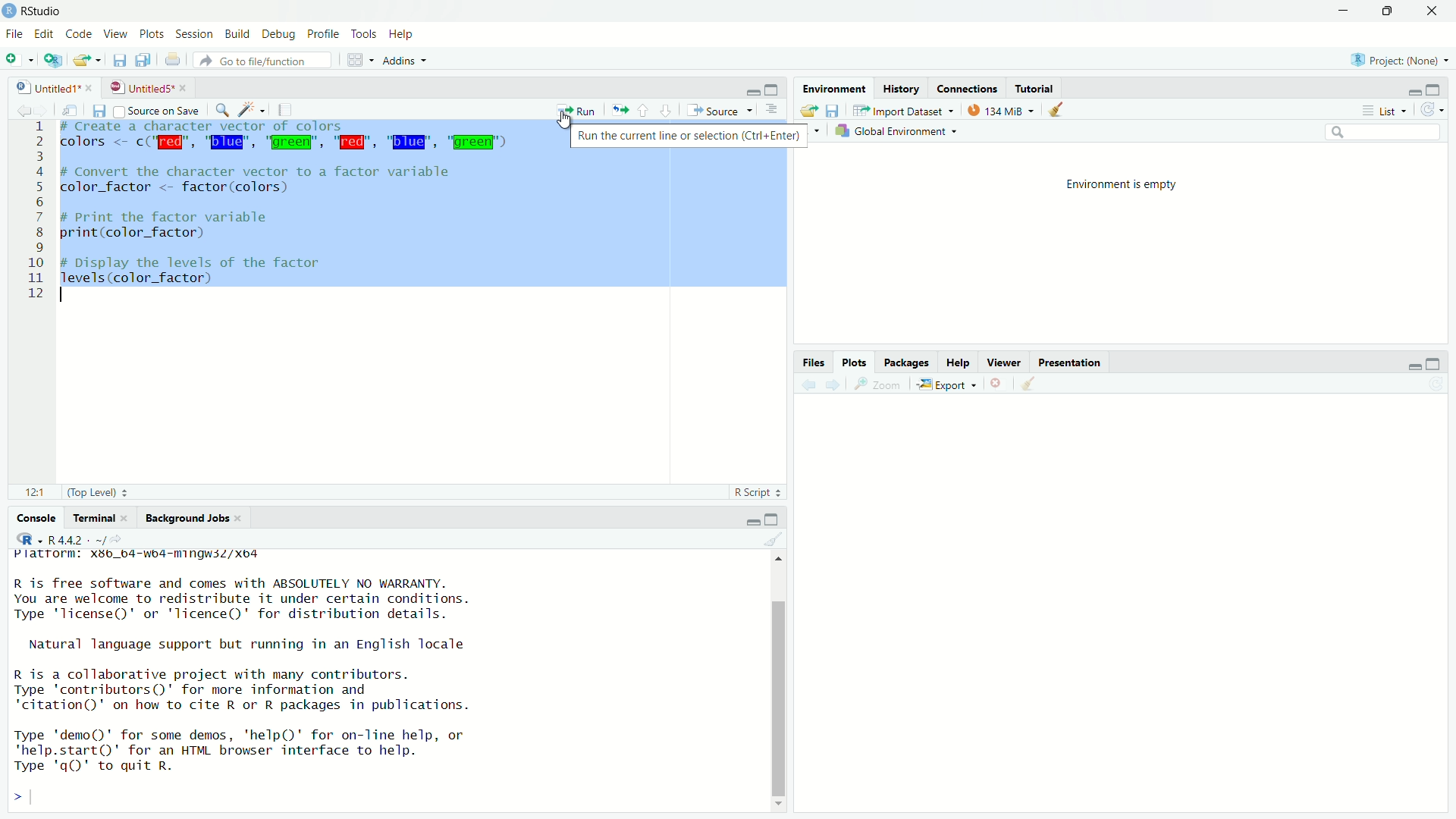 The image size is (1456, 819). Describe the element at coordinates (38, 799) in the screenshot. I see `typing cursor` at that location.